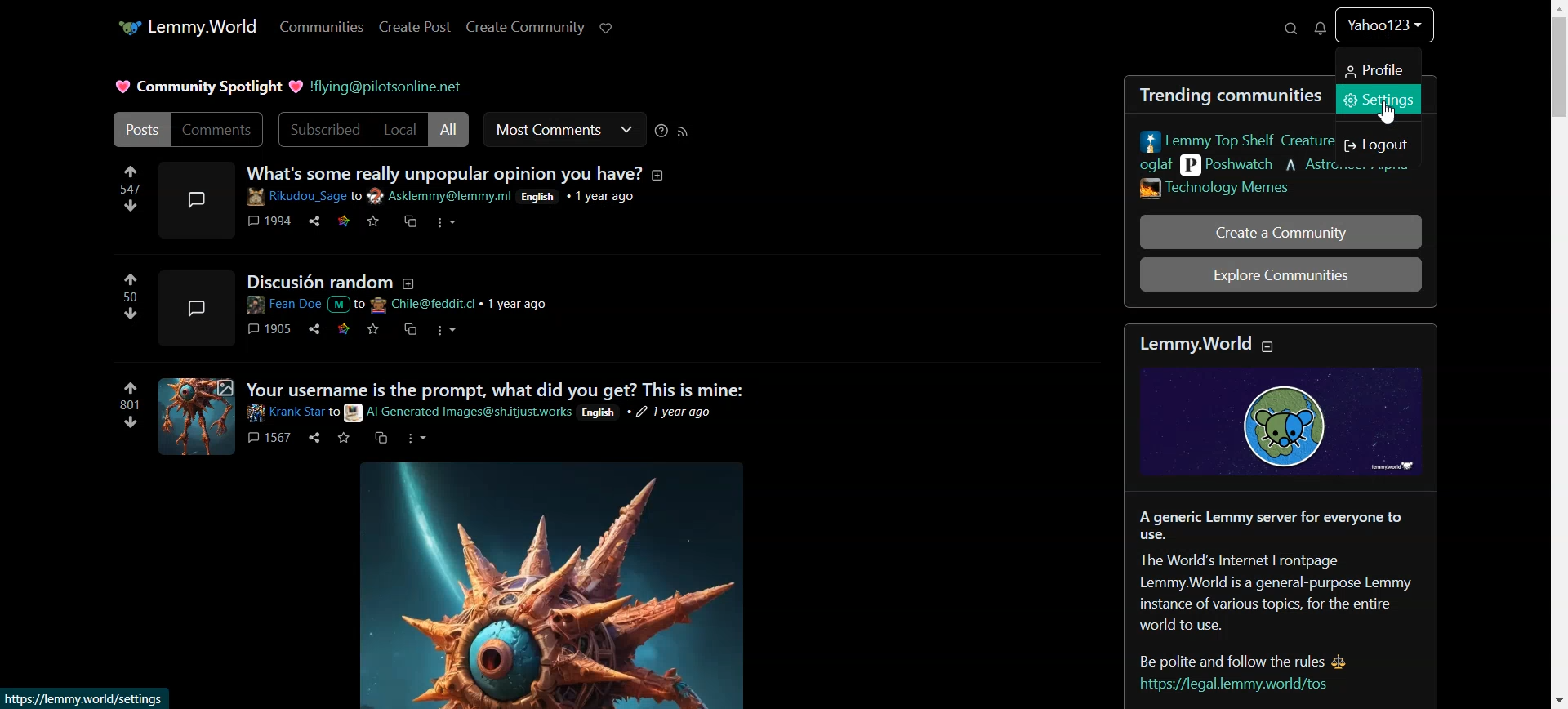  Describe the element at coordinates (387, 310) in the screenshot. I see `Discussion Random` at that location.